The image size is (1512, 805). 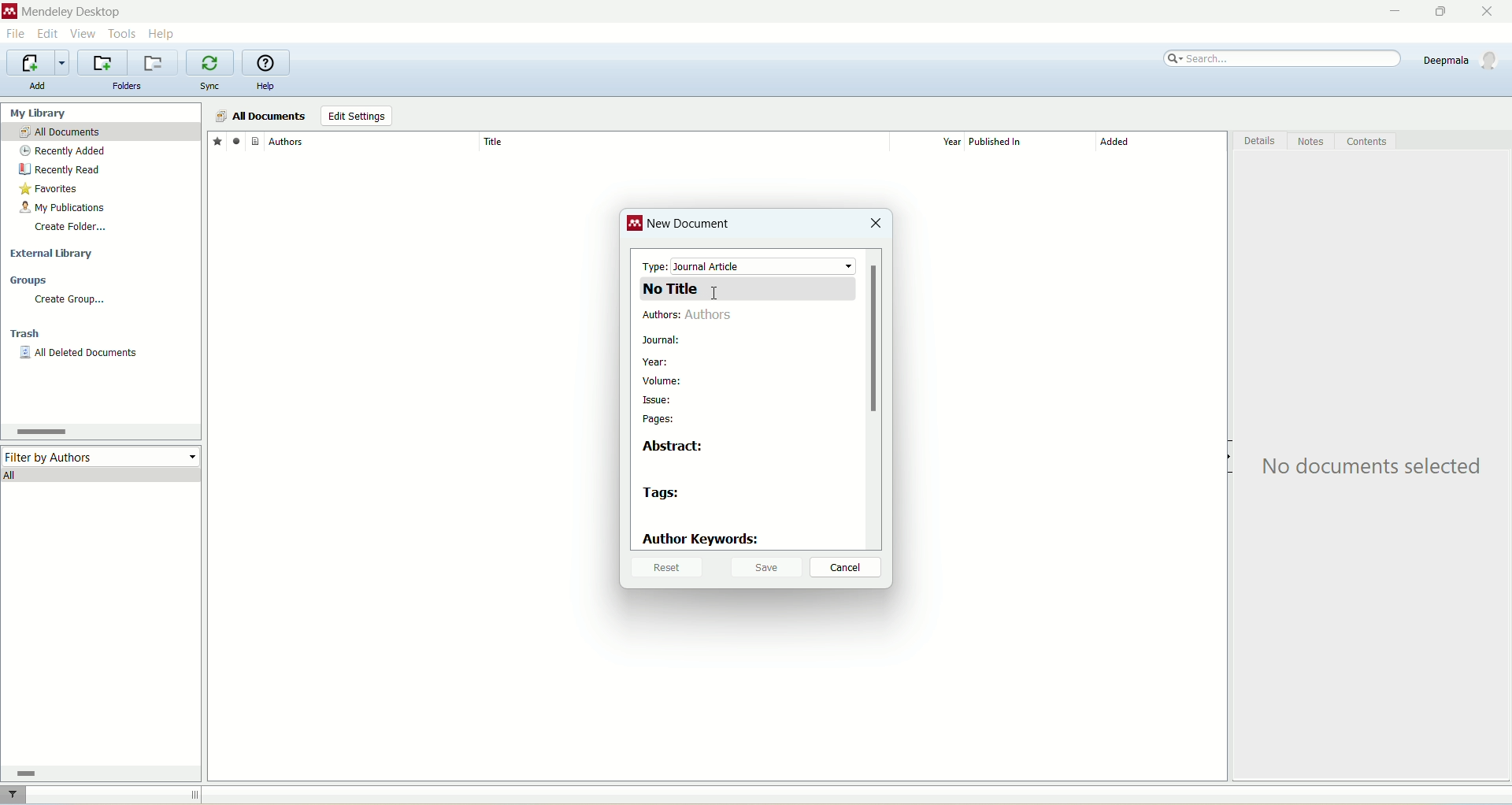 I want to click on cancel, so click(x=847, y=568).